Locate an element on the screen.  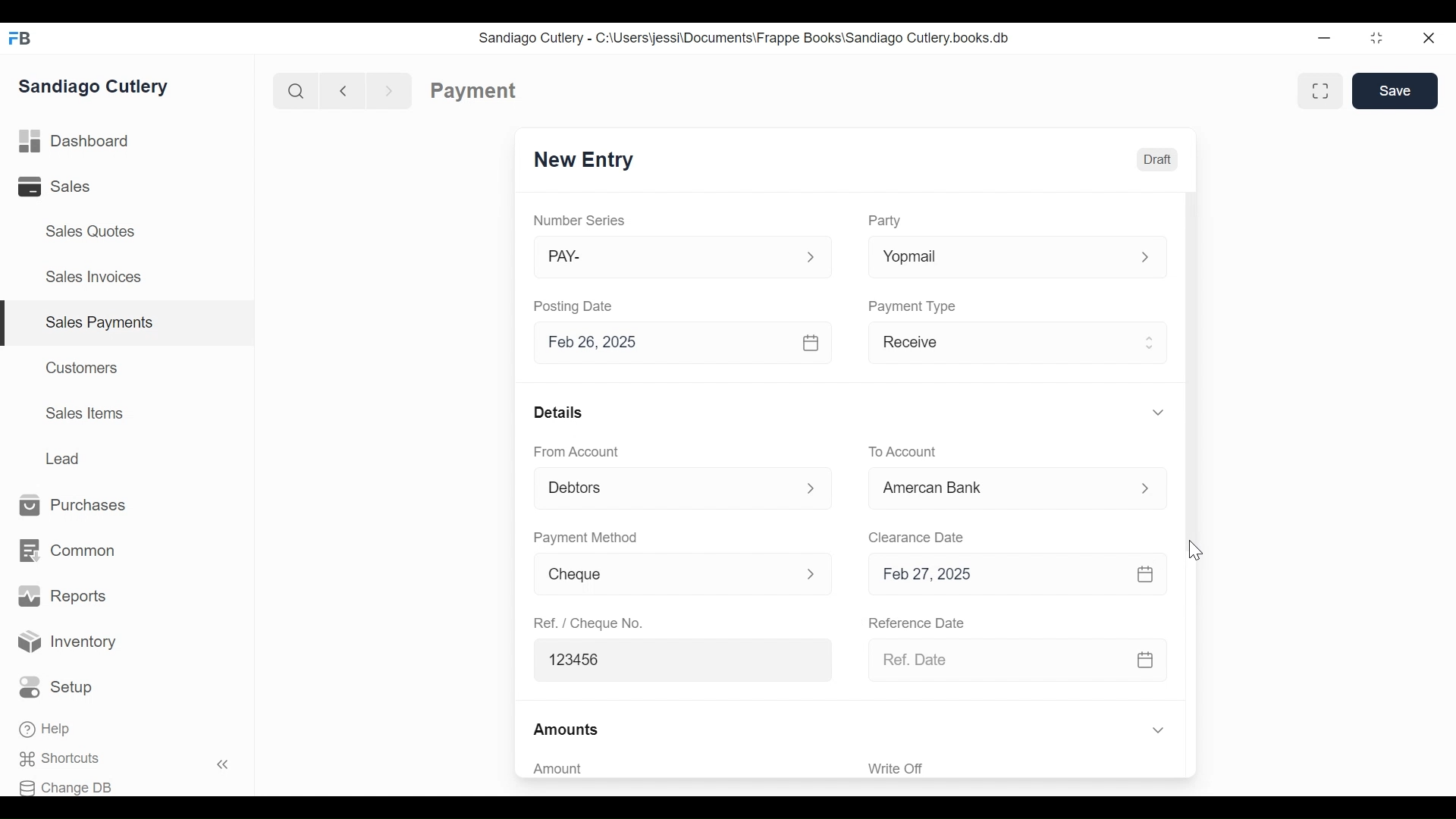
Yopmail is located at coordinates (993, 258).